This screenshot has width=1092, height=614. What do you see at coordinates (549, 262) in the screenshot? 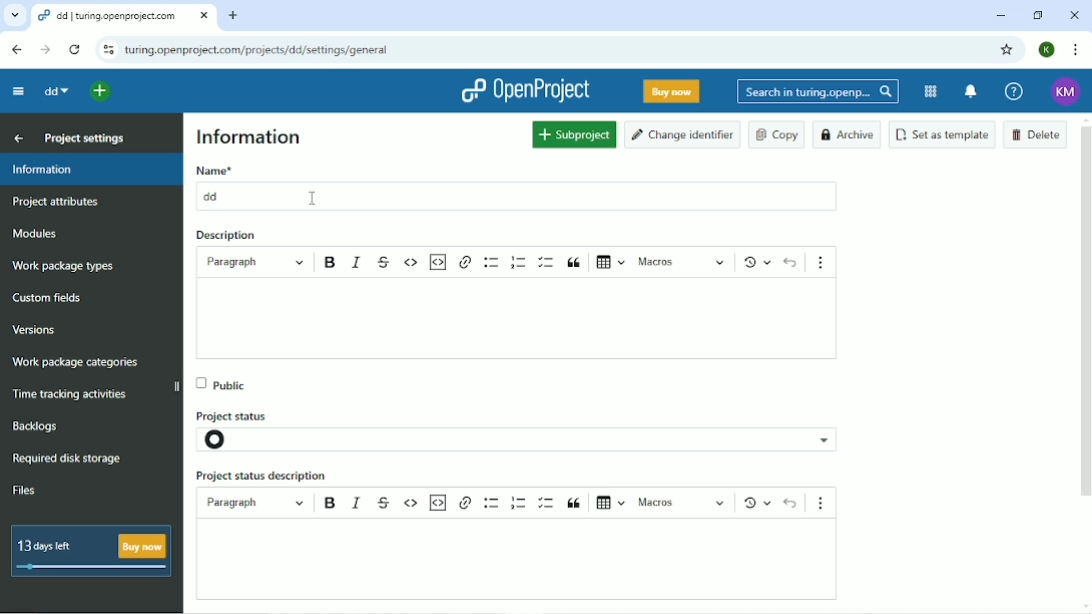
I see `To-do list` at bounding box center [549, 262].